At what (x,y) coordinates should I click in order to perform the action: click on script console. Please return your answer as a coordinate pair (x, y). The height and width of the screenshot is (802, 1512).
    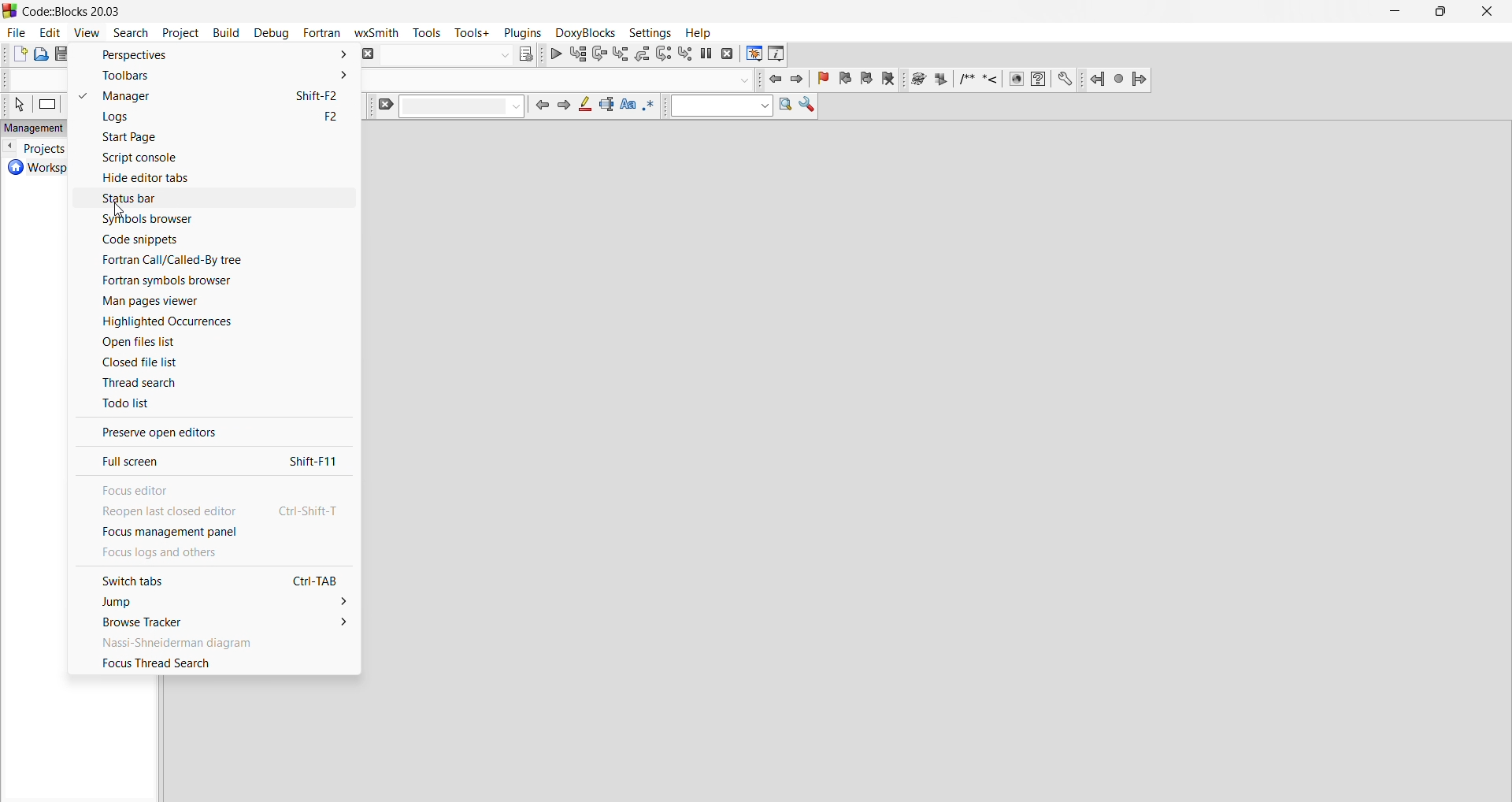
    Looking at the image, I should click on (213, 157).